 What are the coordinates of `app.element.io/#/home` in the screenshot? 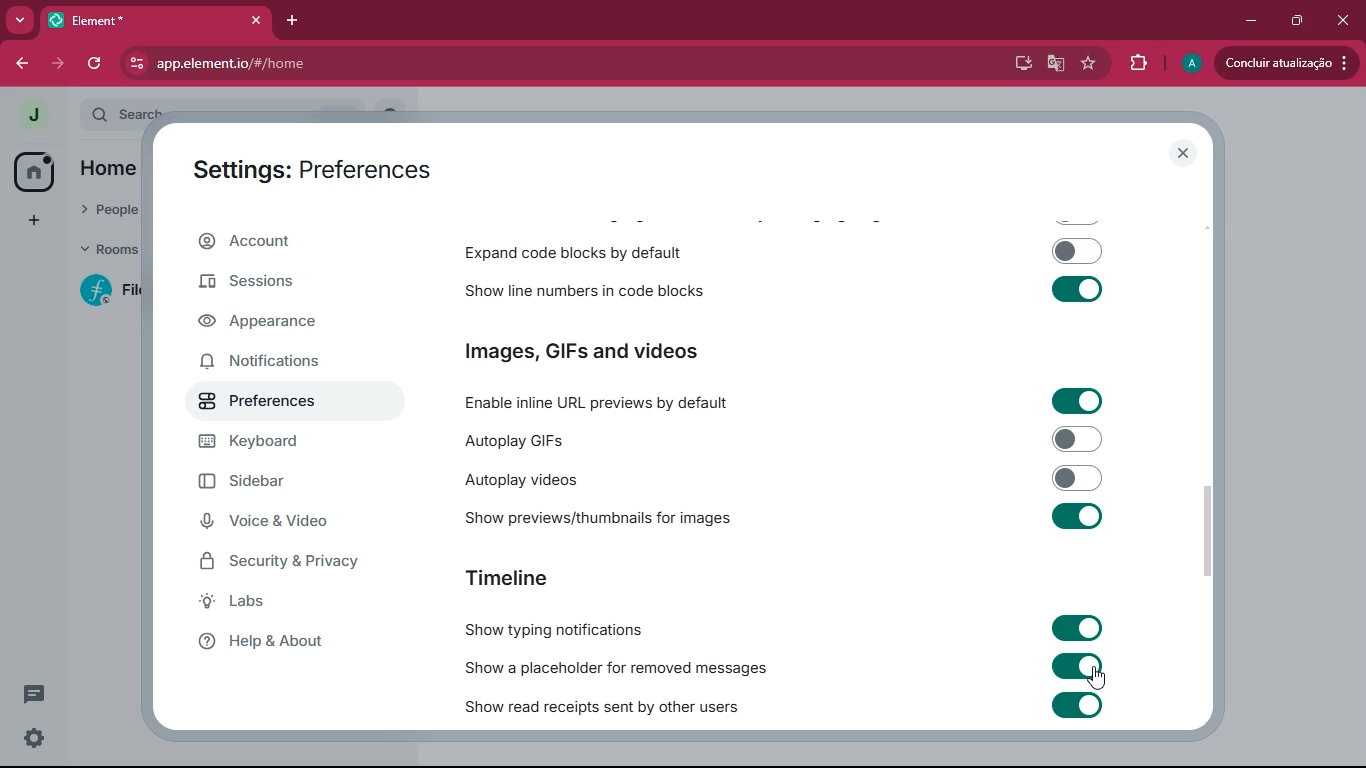 It's located at (335, 64).